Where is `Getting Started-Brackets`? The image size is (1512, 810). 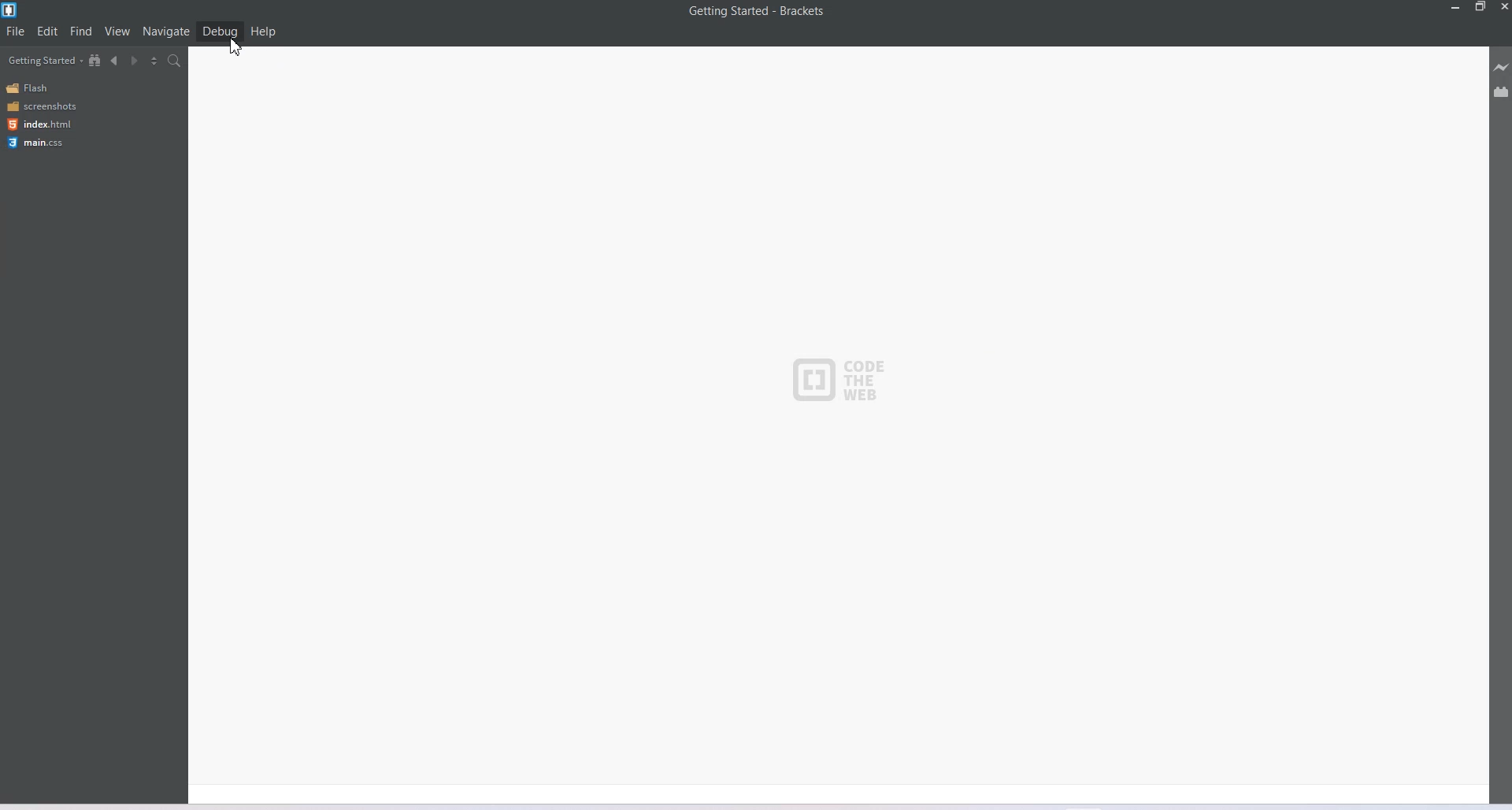
Getting Started-Brackets is located at coordinates (757, 12).